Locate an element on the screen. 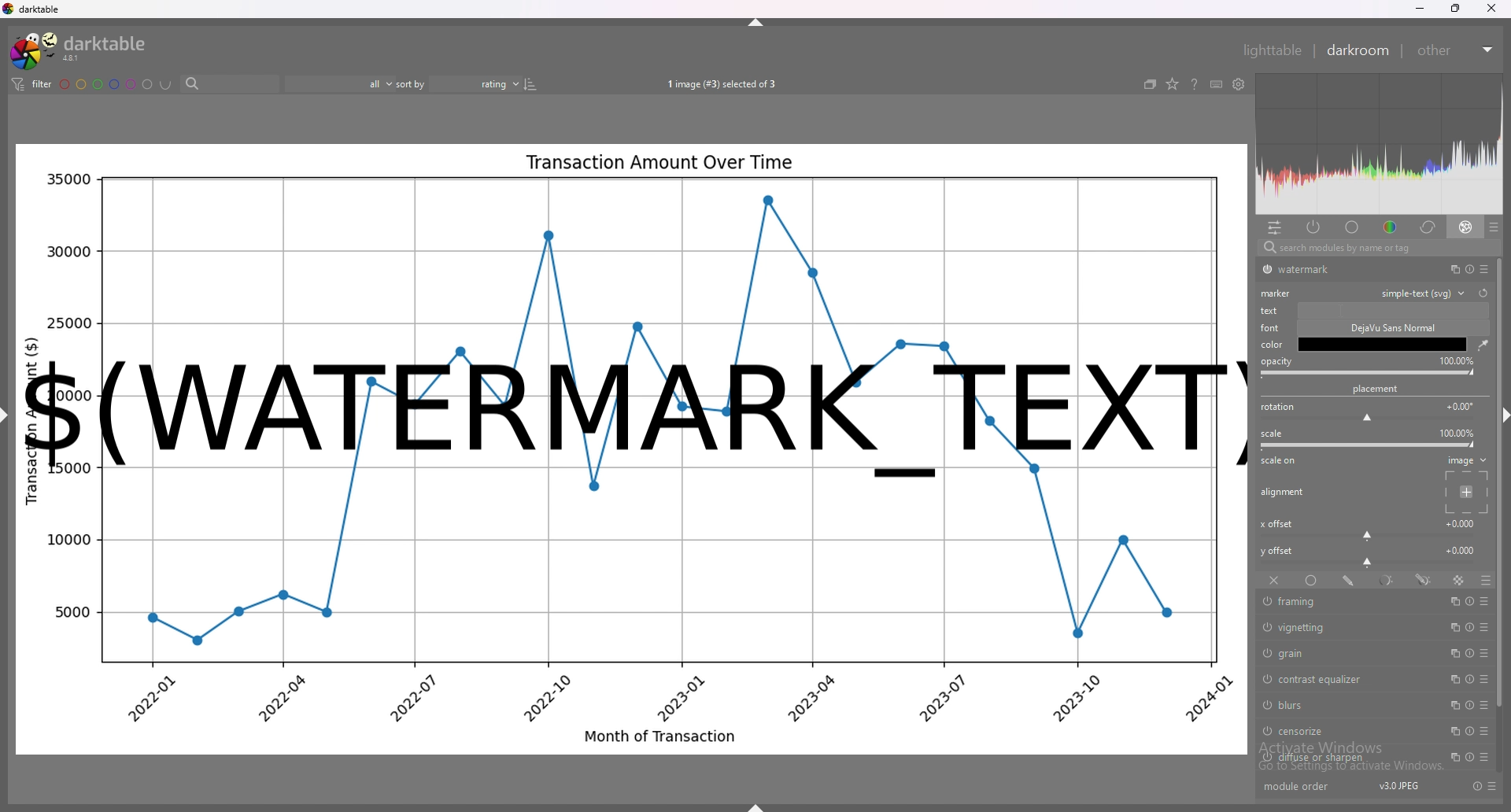  color is located at coordinates (1272, 345).